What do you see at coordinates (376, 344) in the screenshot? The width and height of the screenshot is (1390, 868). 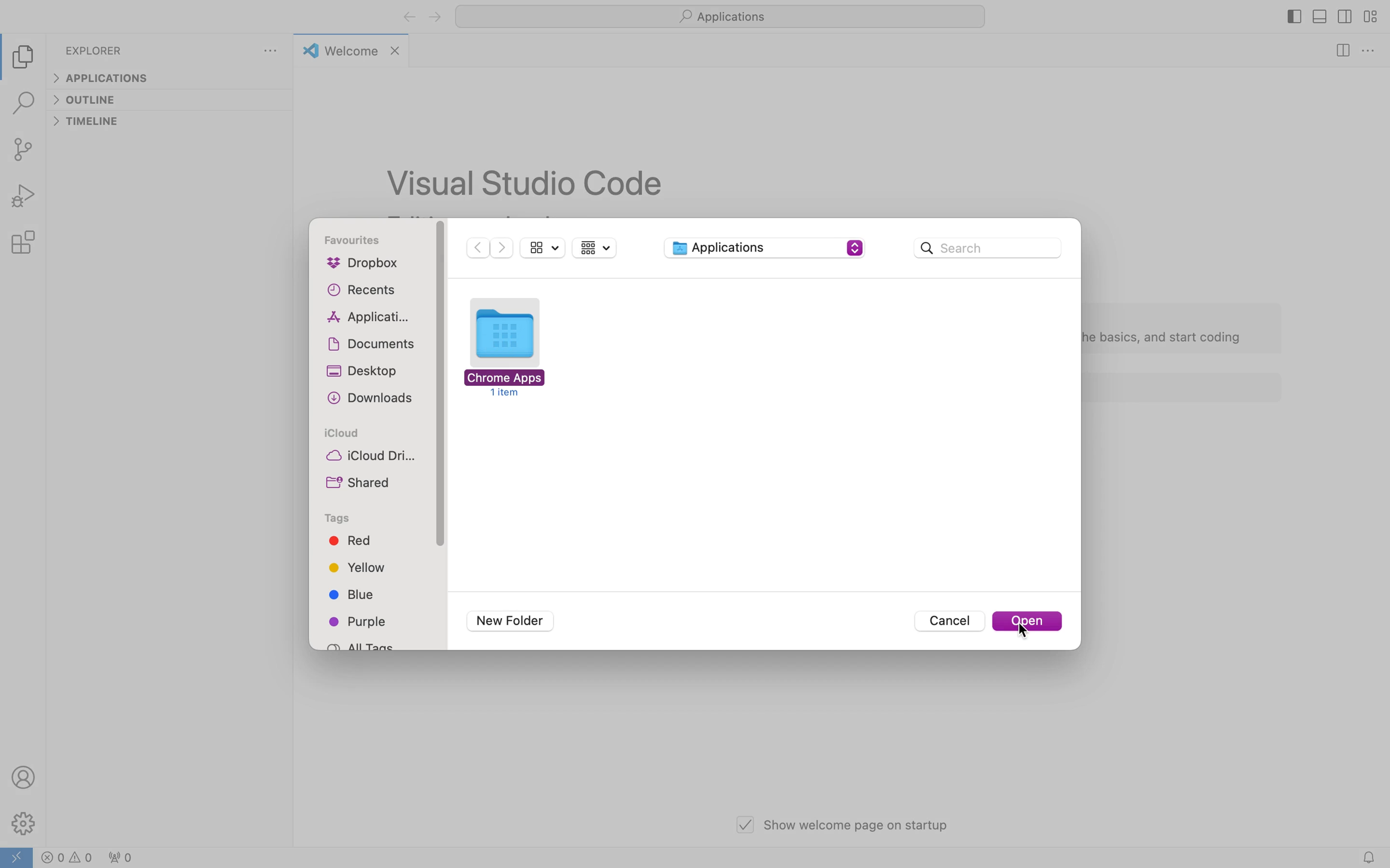 I see `documents` at bounding box center [376, 344].